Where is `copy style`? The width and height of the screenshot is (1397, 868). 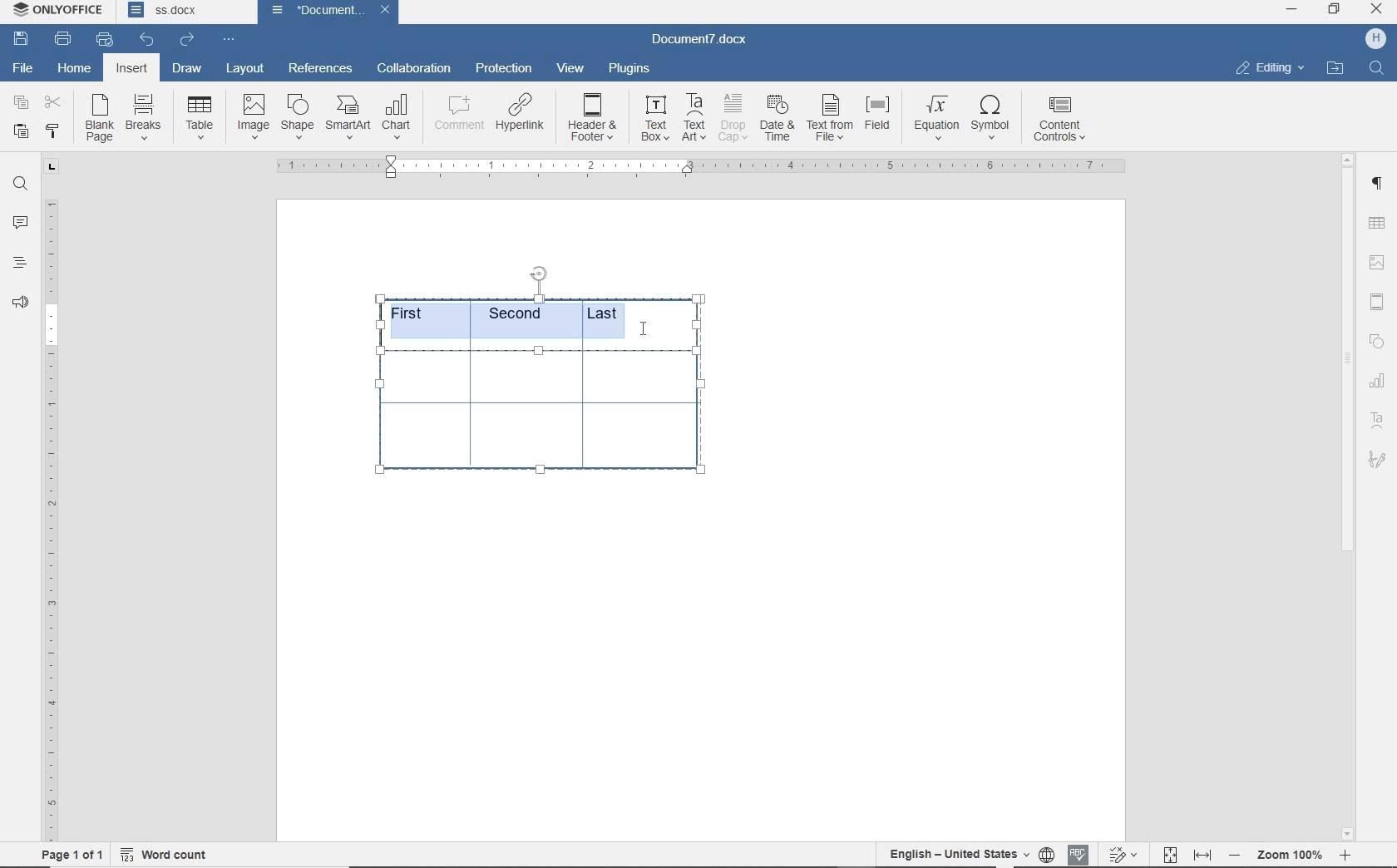 copy style is located at coordinates (51, 131).